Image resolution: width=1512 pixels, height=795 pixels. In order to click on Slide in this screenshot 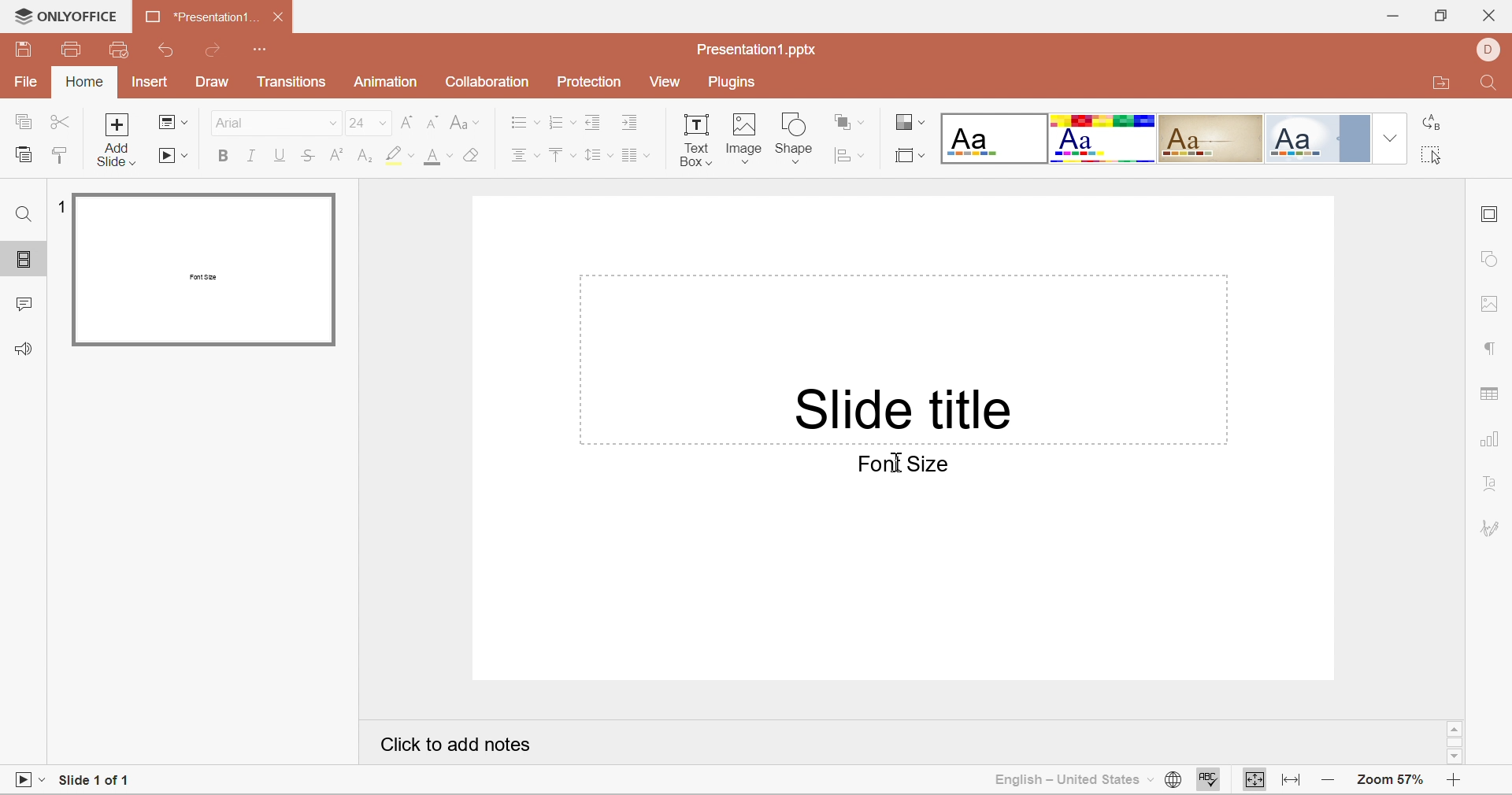, I will do `click(206, 269)`.